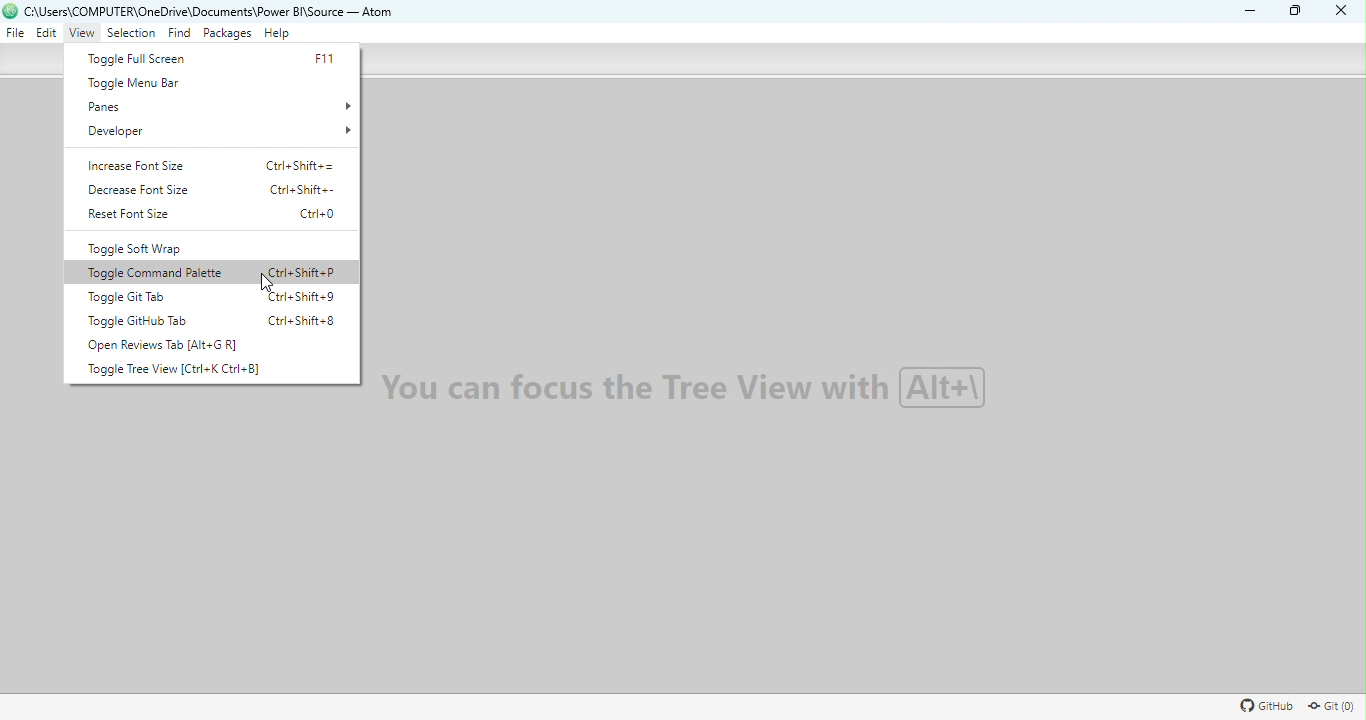 Image resolution: width=1366 pixels, height=720 pixels. Describe the element at coordinates (215, 12) in the screenshot. I see `File name` at that location.